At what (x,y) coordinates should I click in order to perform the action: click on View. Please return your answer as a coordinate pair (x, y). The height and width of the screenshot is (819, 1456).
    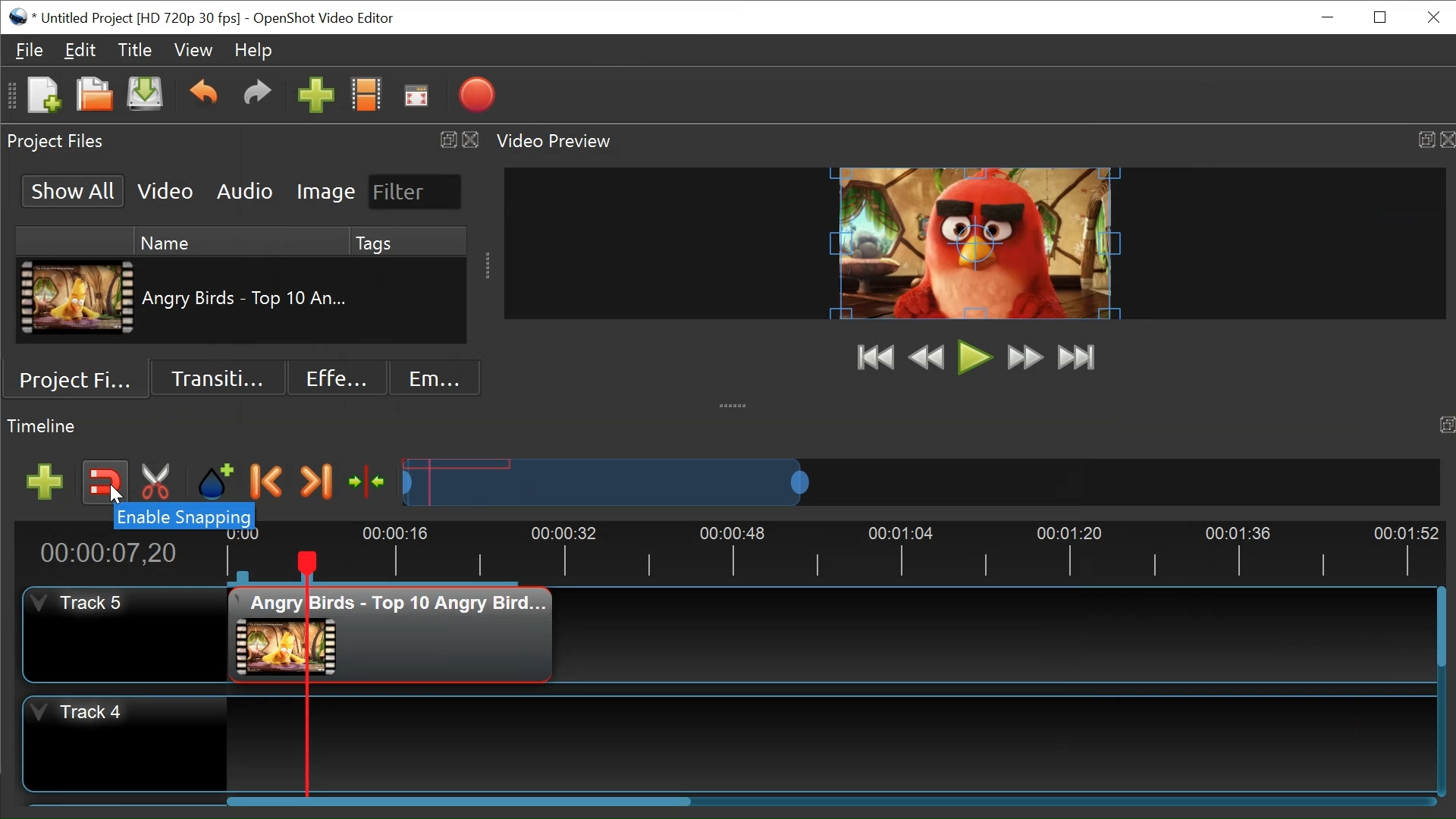
    Looking at the image, I should click on (193, 50).